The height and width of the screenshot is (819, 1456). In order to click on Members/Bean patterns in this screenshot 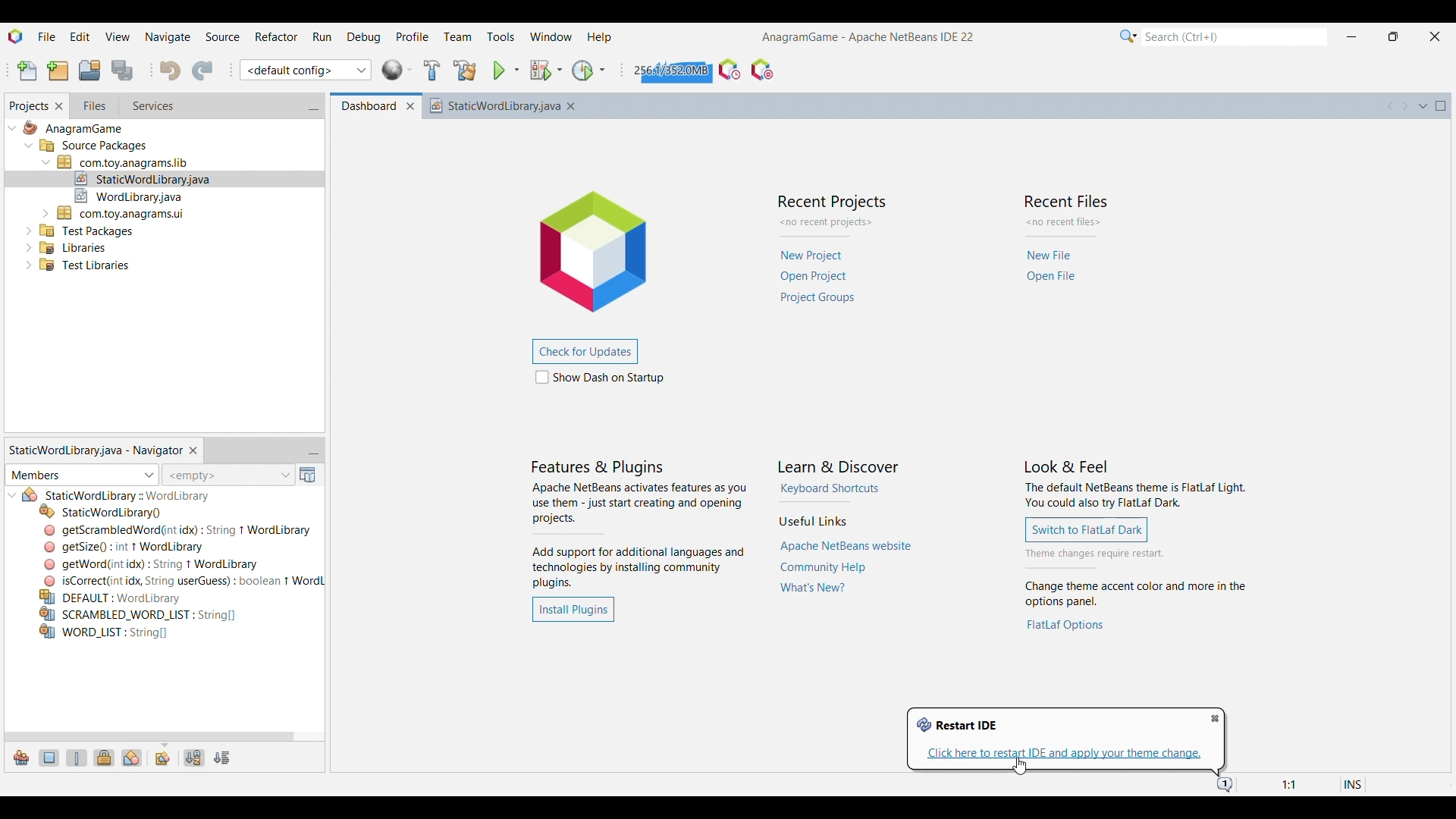, I will do `click(82, 475)`.